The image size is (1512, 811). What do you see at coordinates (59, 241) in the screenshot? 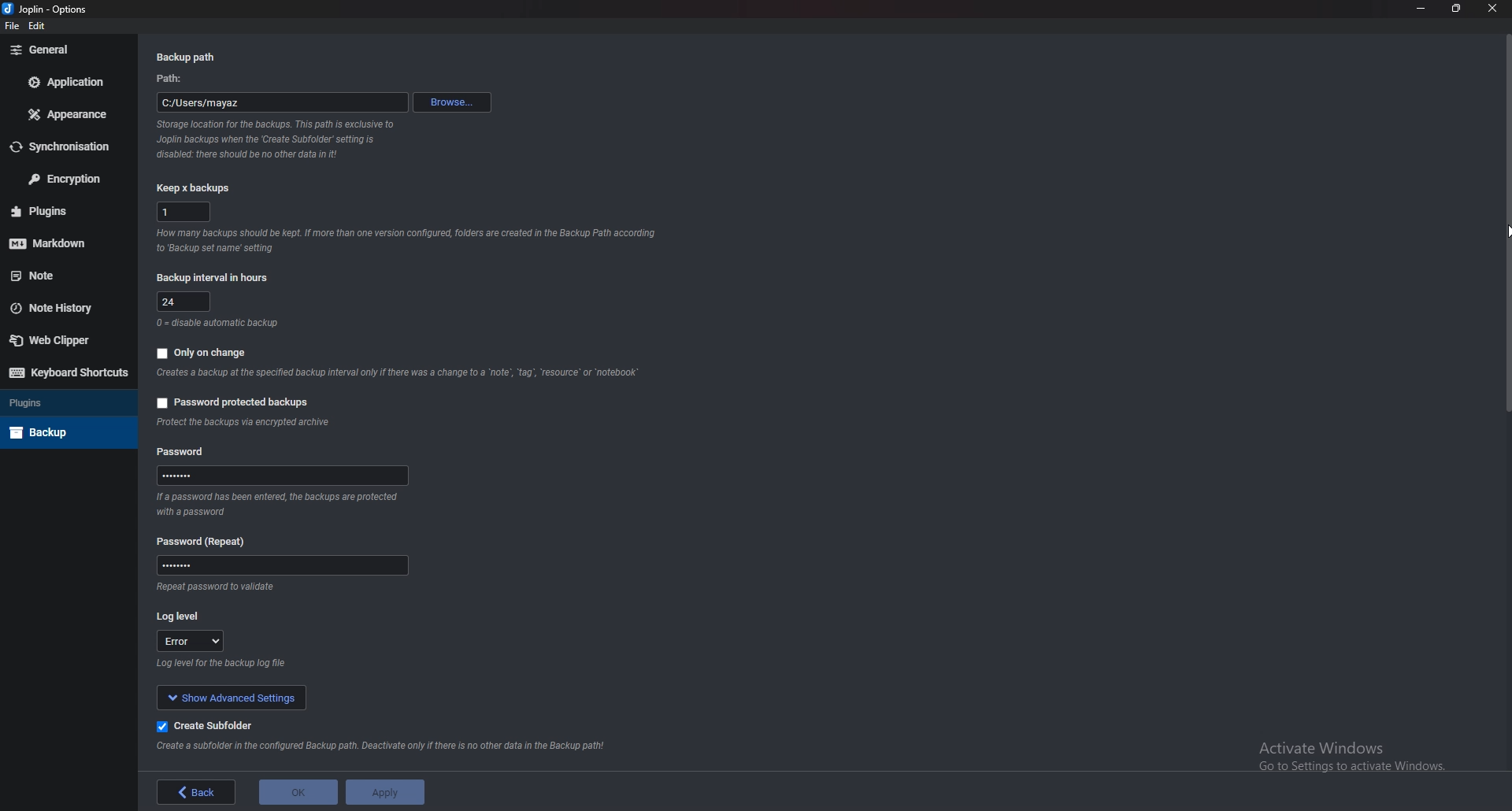
I see `Mark down` at bounding box center [59, 241].